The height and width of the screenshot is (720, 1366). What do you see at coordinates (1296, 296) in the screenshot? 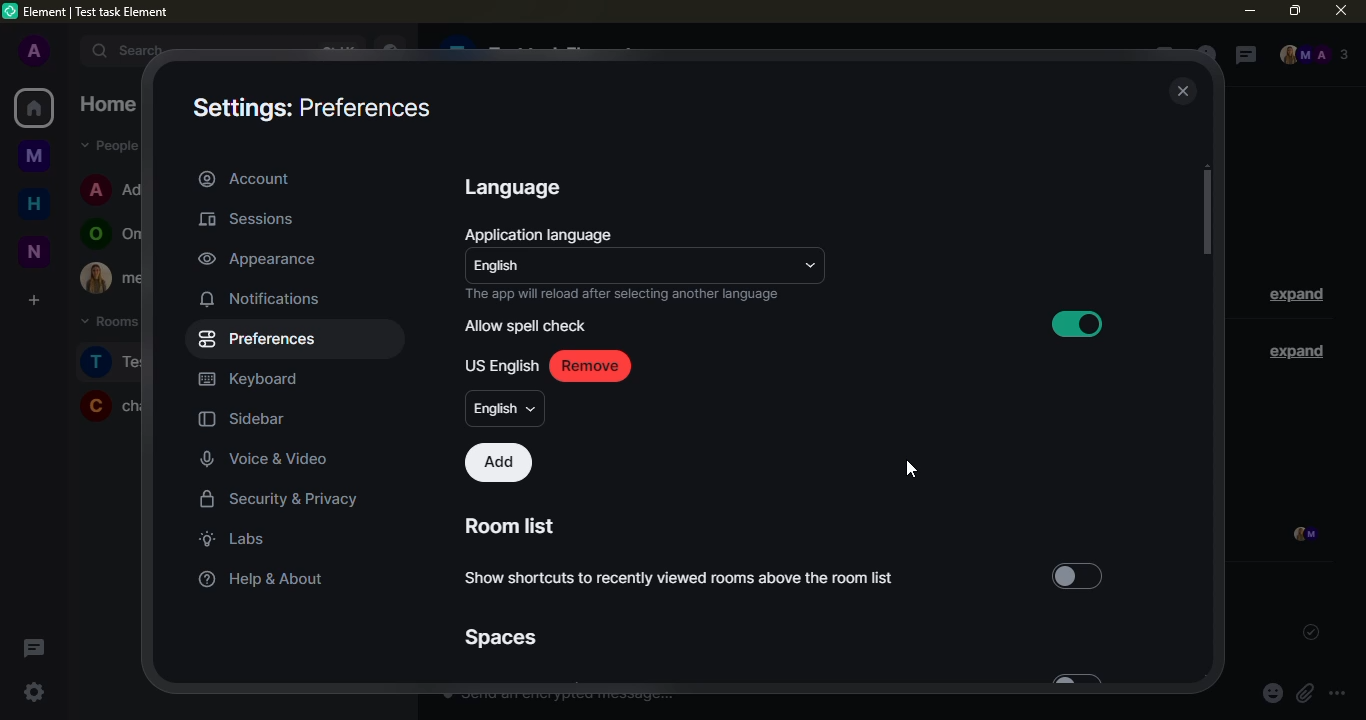
I see `expand` at bounding box center [1296, 296].